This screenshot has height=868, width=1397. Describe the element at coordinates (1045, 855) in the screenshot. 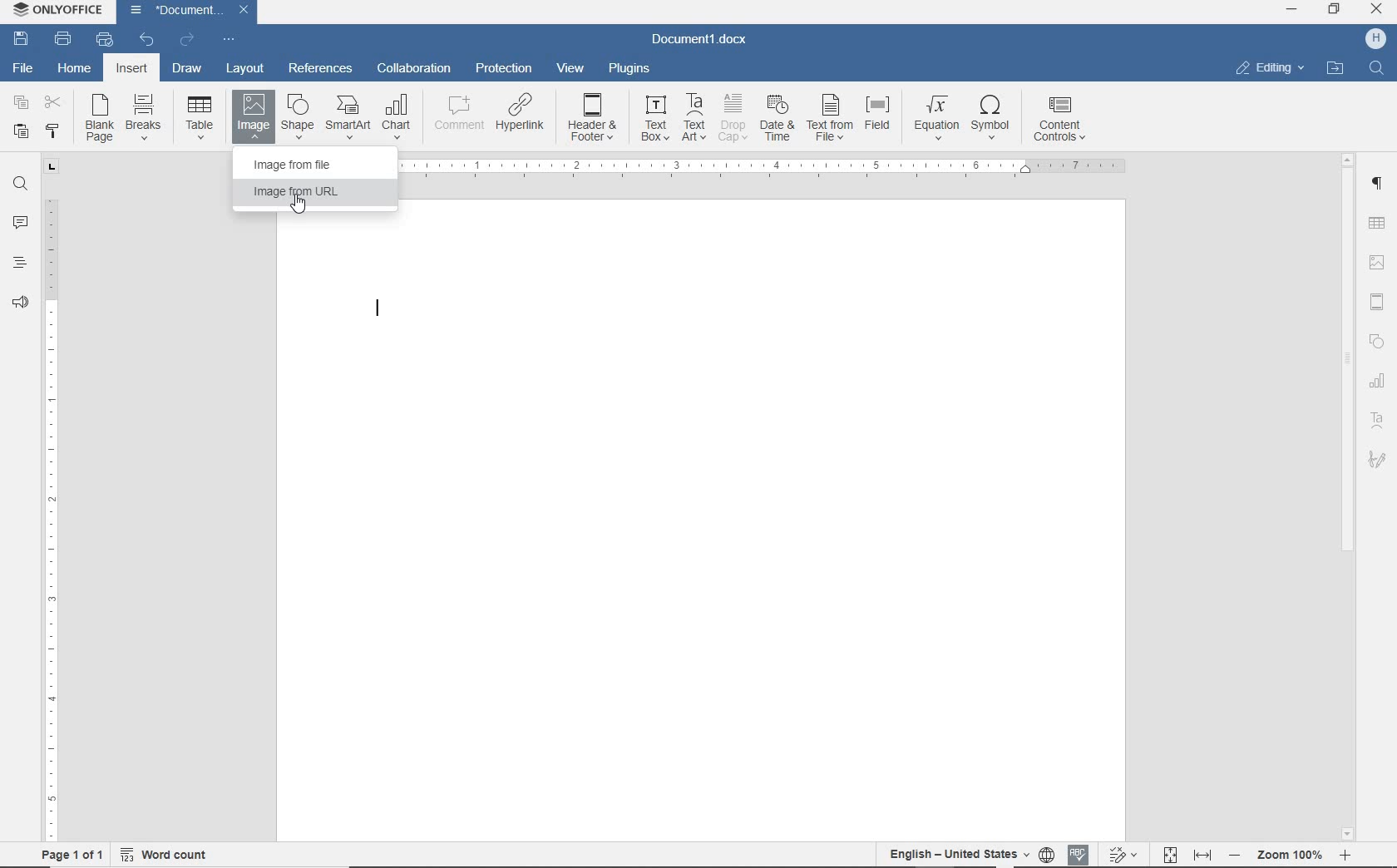

I see `set document language` at that location.